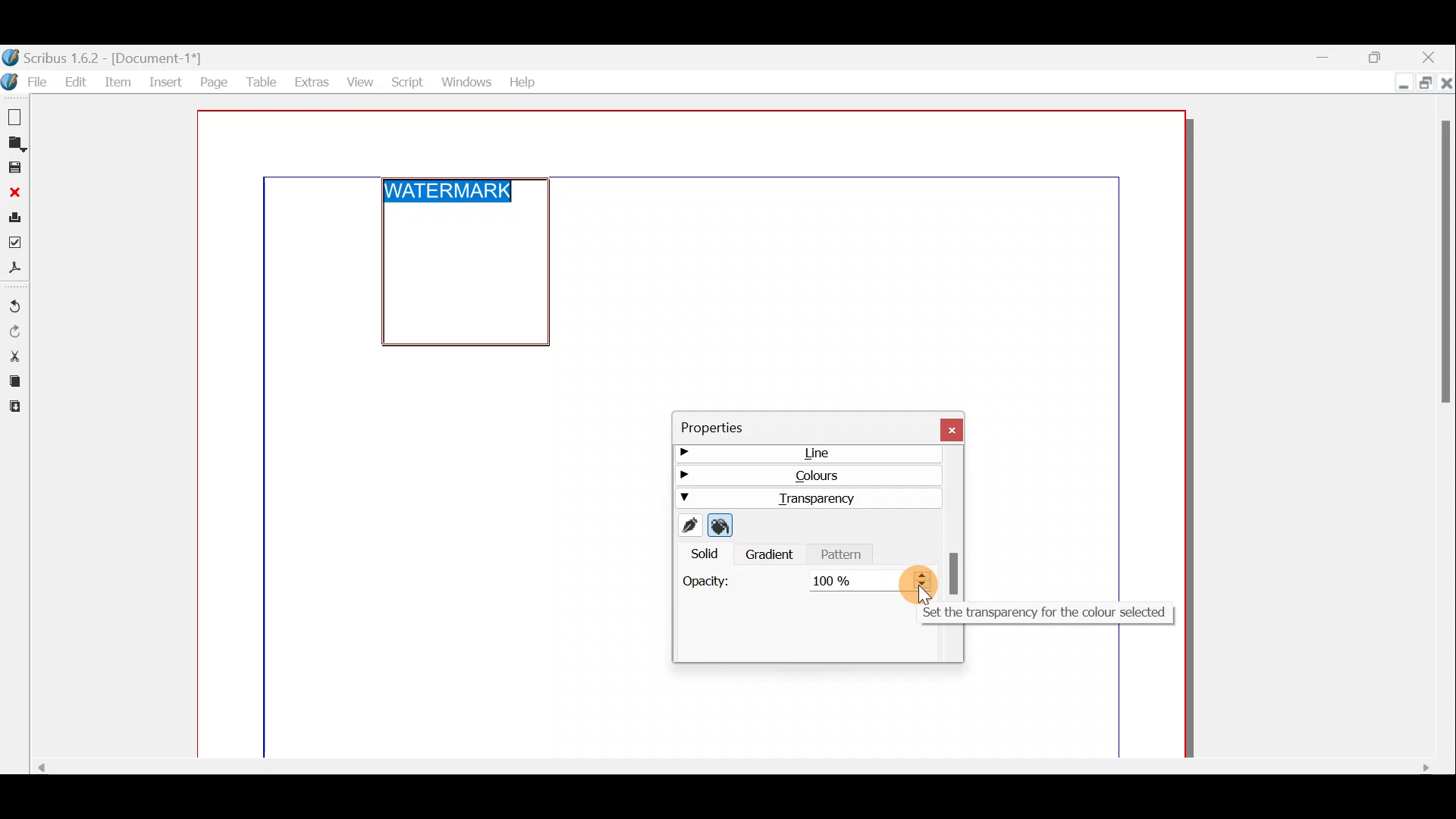 This screenshot has height=819, width=1456. I want to click on Maximise, so click(1376, 55).